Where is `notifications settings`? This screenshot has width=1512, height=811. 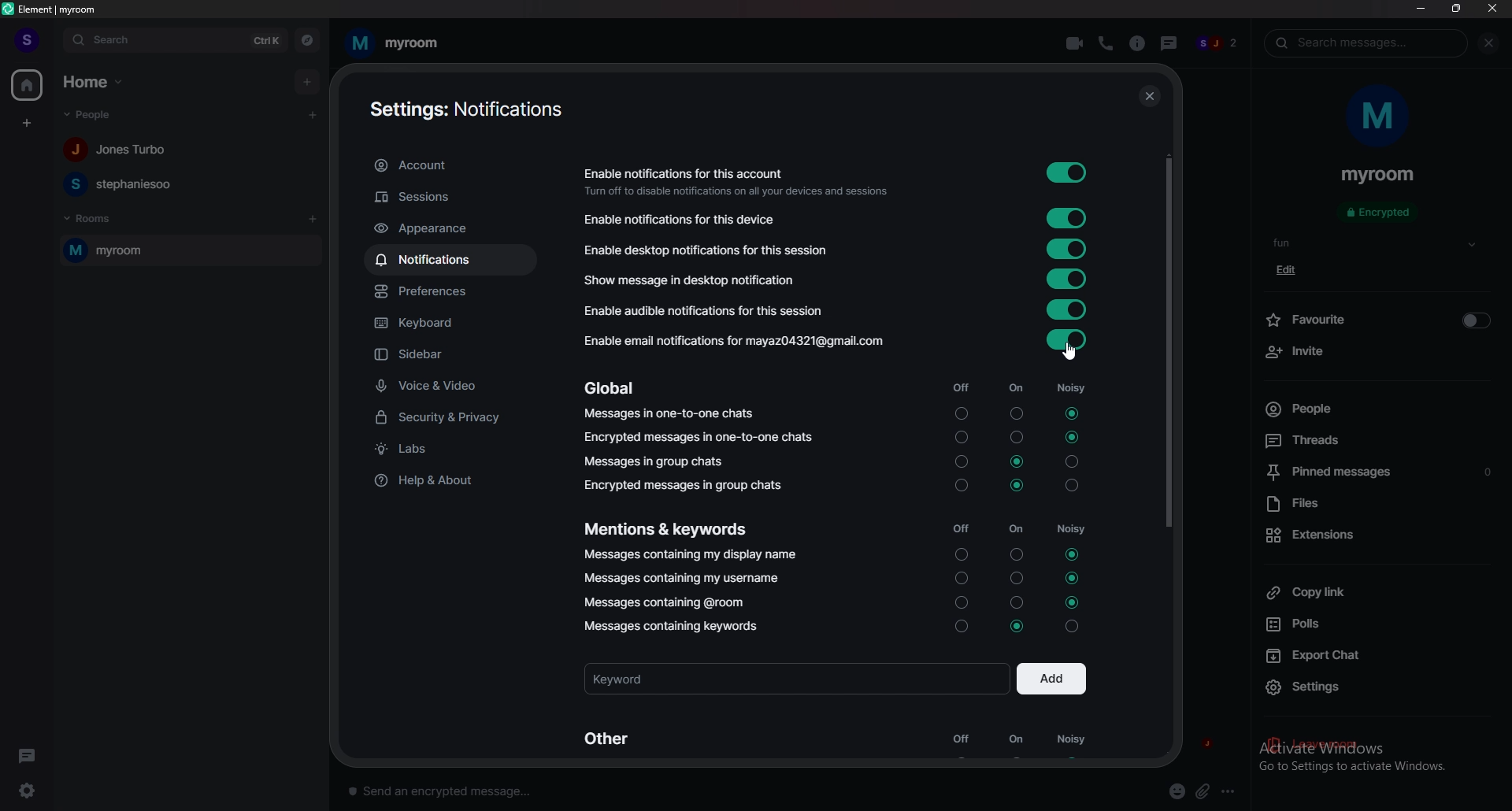 notifications settings is located at coordinates (469, 108).